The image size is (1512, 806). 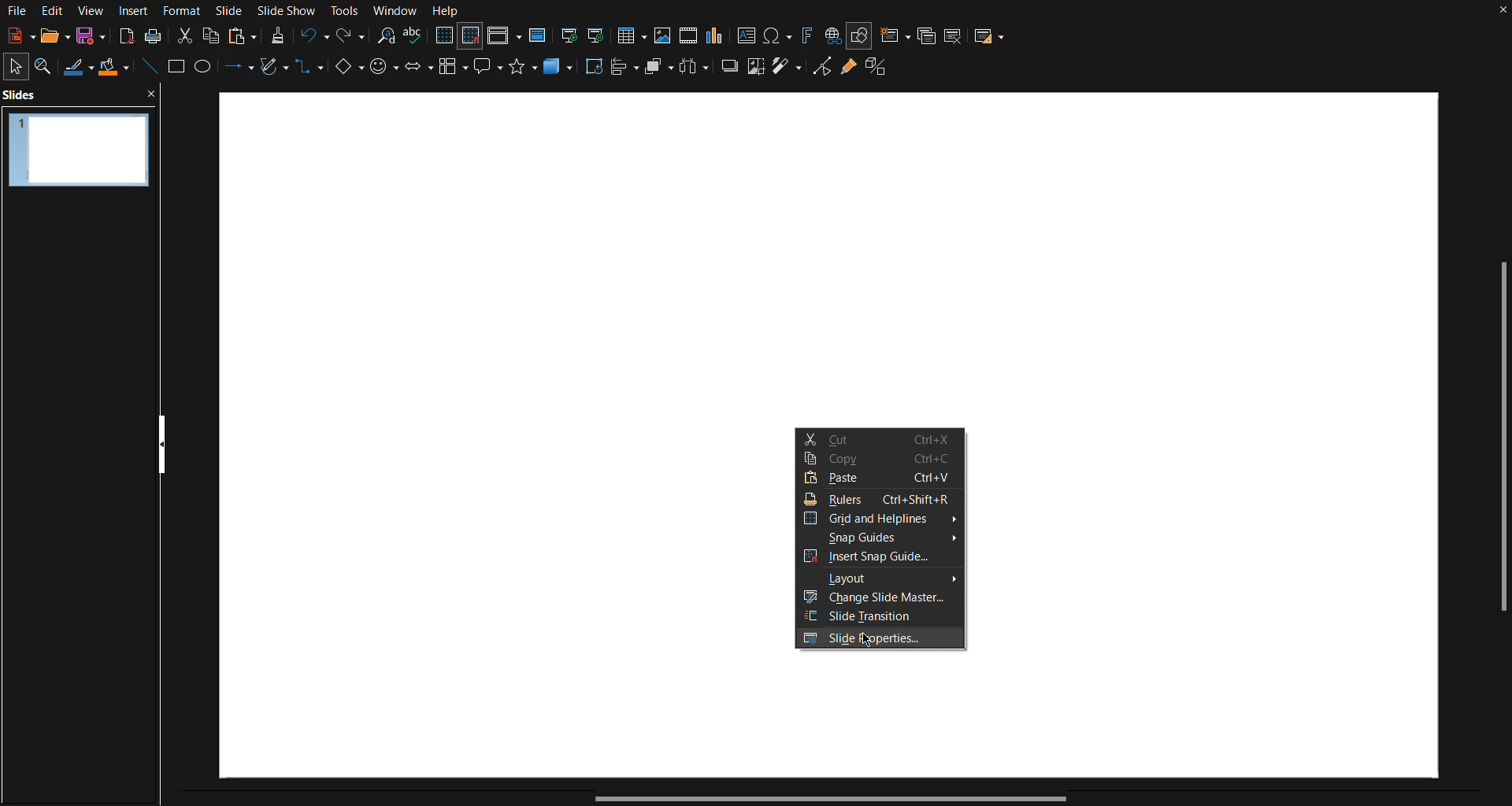 I want to click on Formatting, so click(x=277, y=35).